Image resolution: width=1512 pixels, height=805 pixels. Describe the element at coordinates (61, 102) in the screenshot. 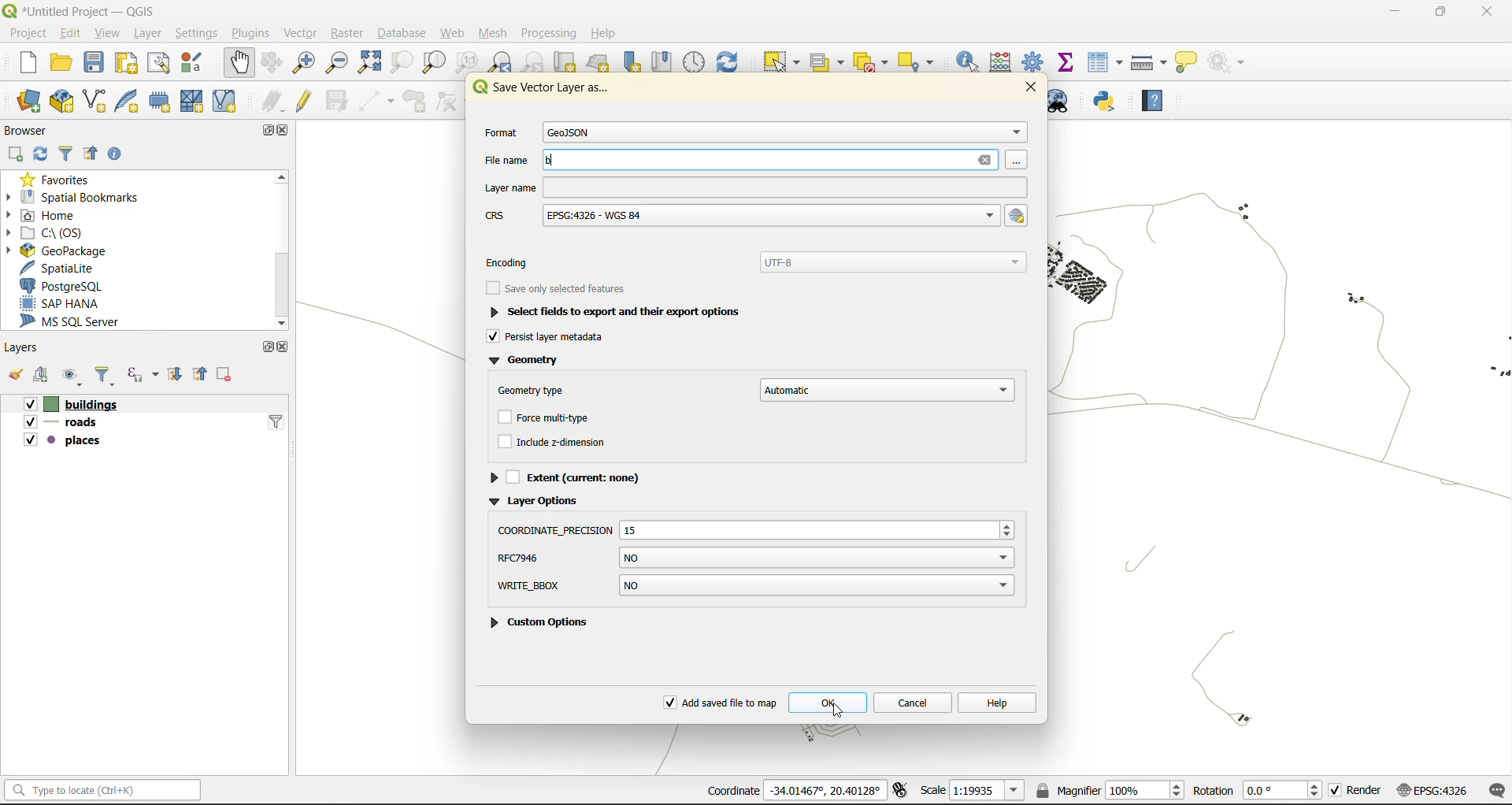

I see `new geopackage` at that location.